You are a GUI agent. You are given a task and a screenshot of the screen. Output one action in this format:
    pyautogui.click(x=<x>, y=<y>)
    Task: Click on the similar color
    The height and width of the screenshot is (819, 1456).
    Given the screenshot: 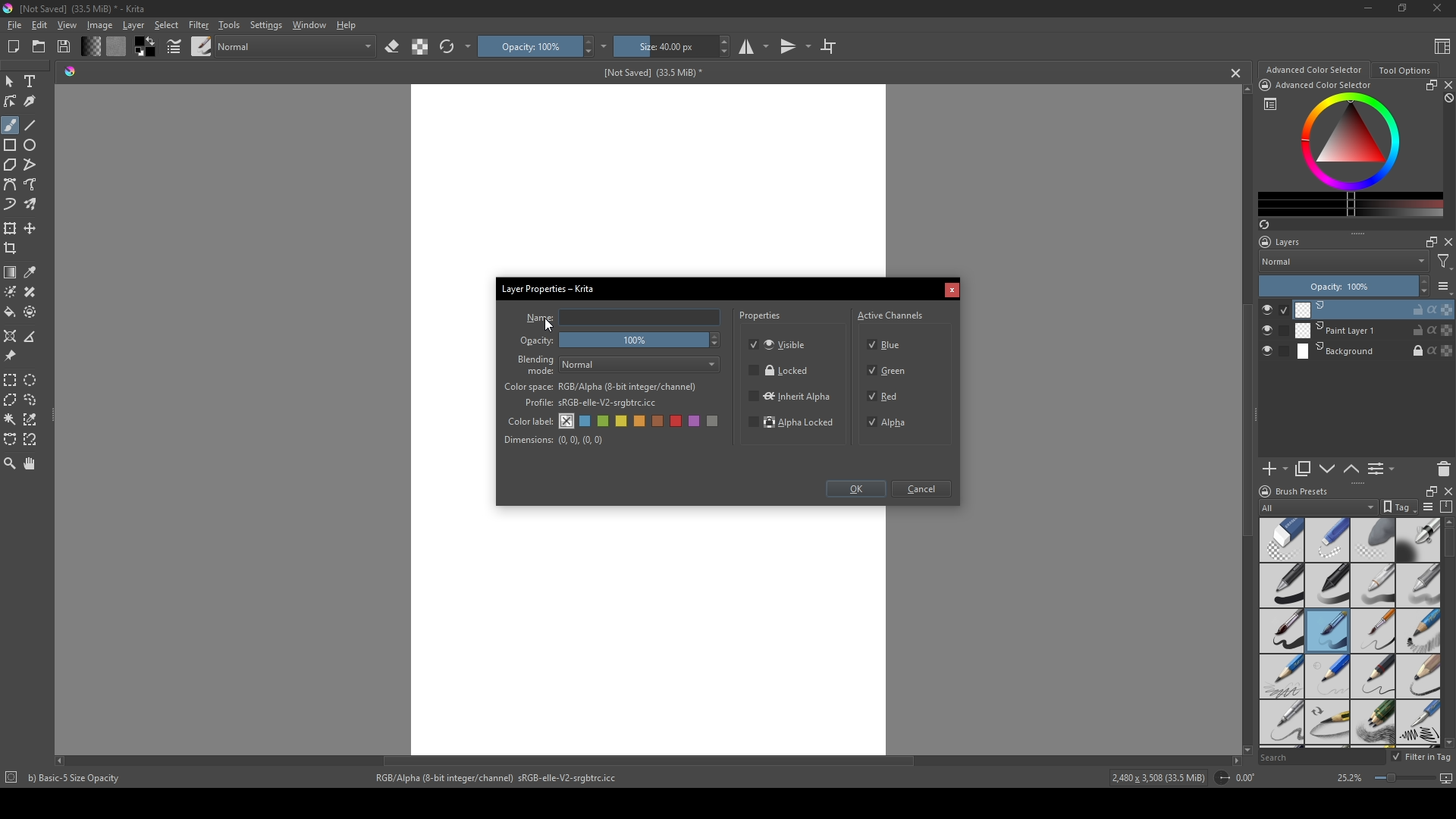 What is the action you would take?
    pyautogui.click(x=33, y=419)
    